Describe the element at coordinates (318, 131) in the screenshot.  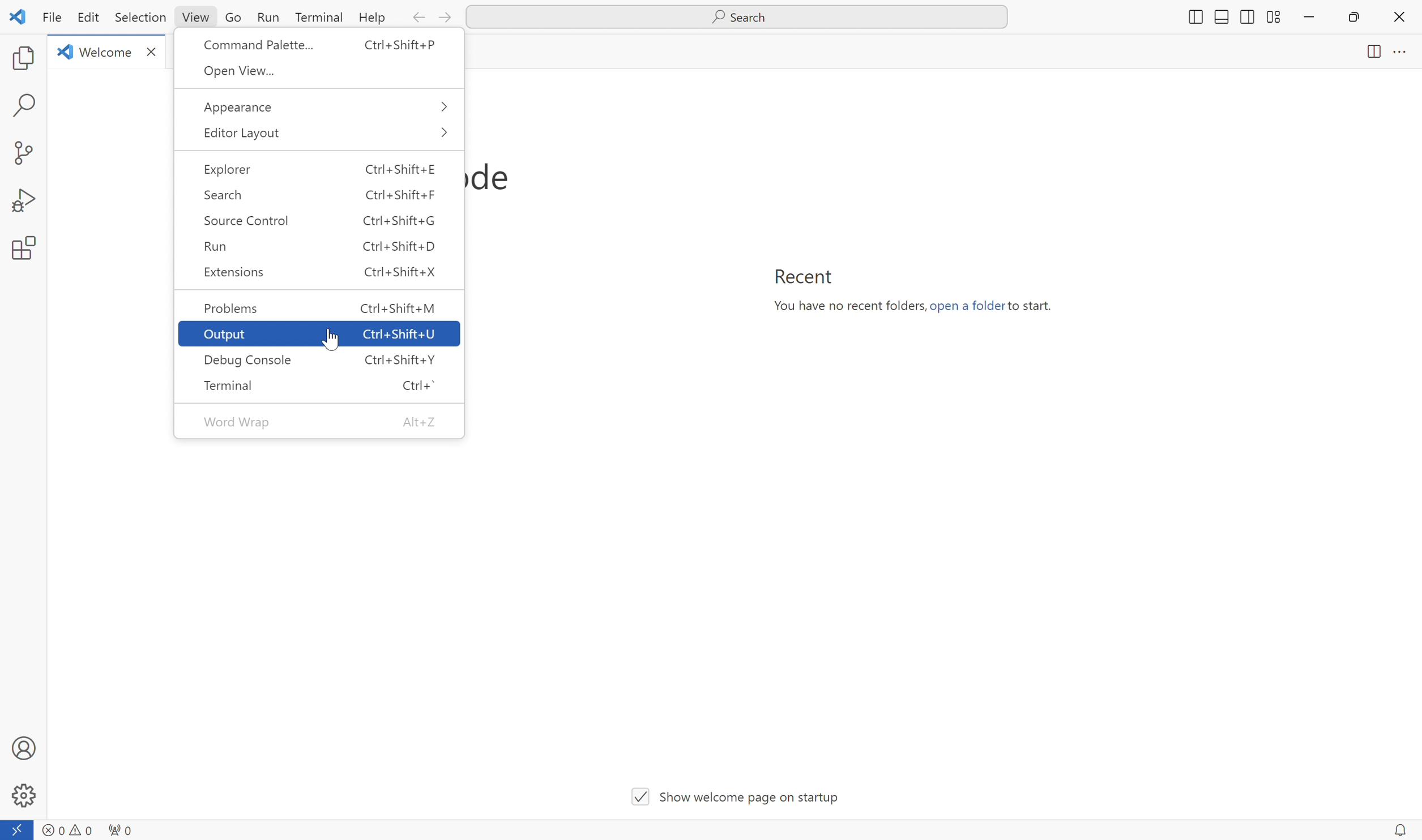
I see `editor layout` at that location.